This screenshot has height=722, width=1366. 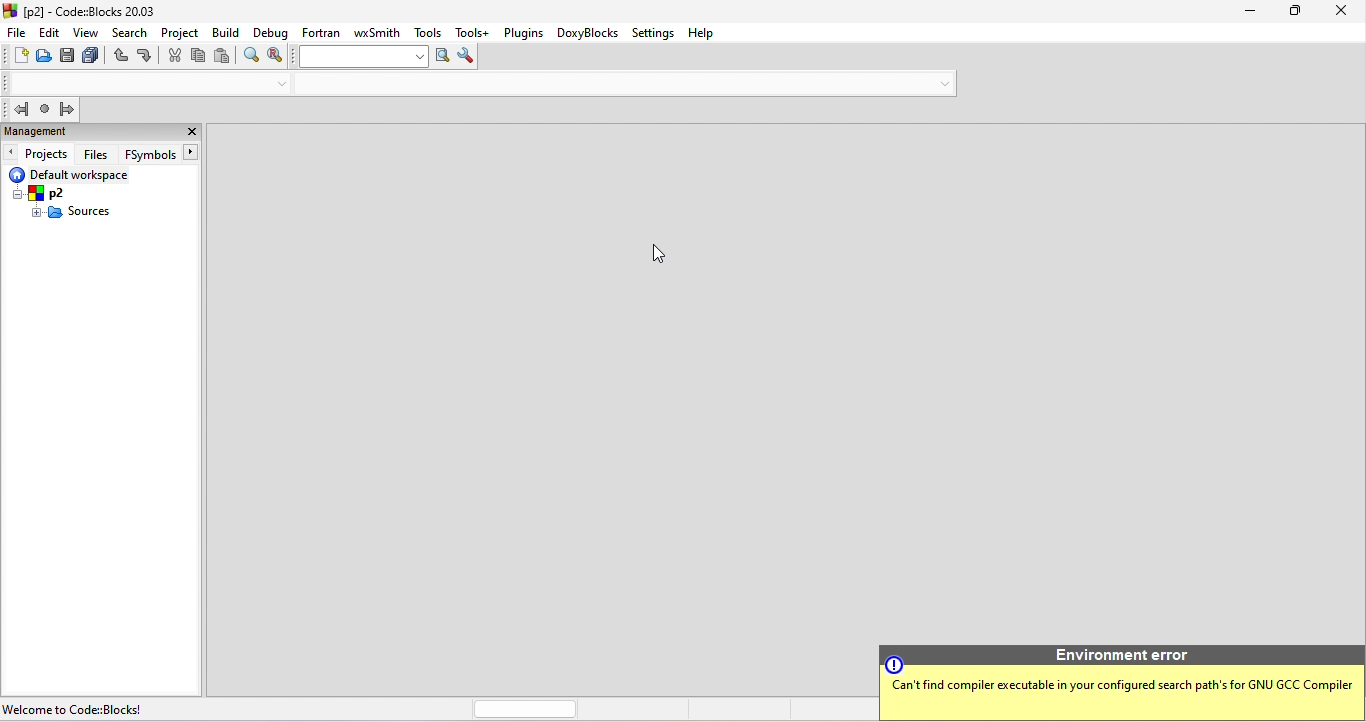 I want to click on search, so click(x=134, y=34).